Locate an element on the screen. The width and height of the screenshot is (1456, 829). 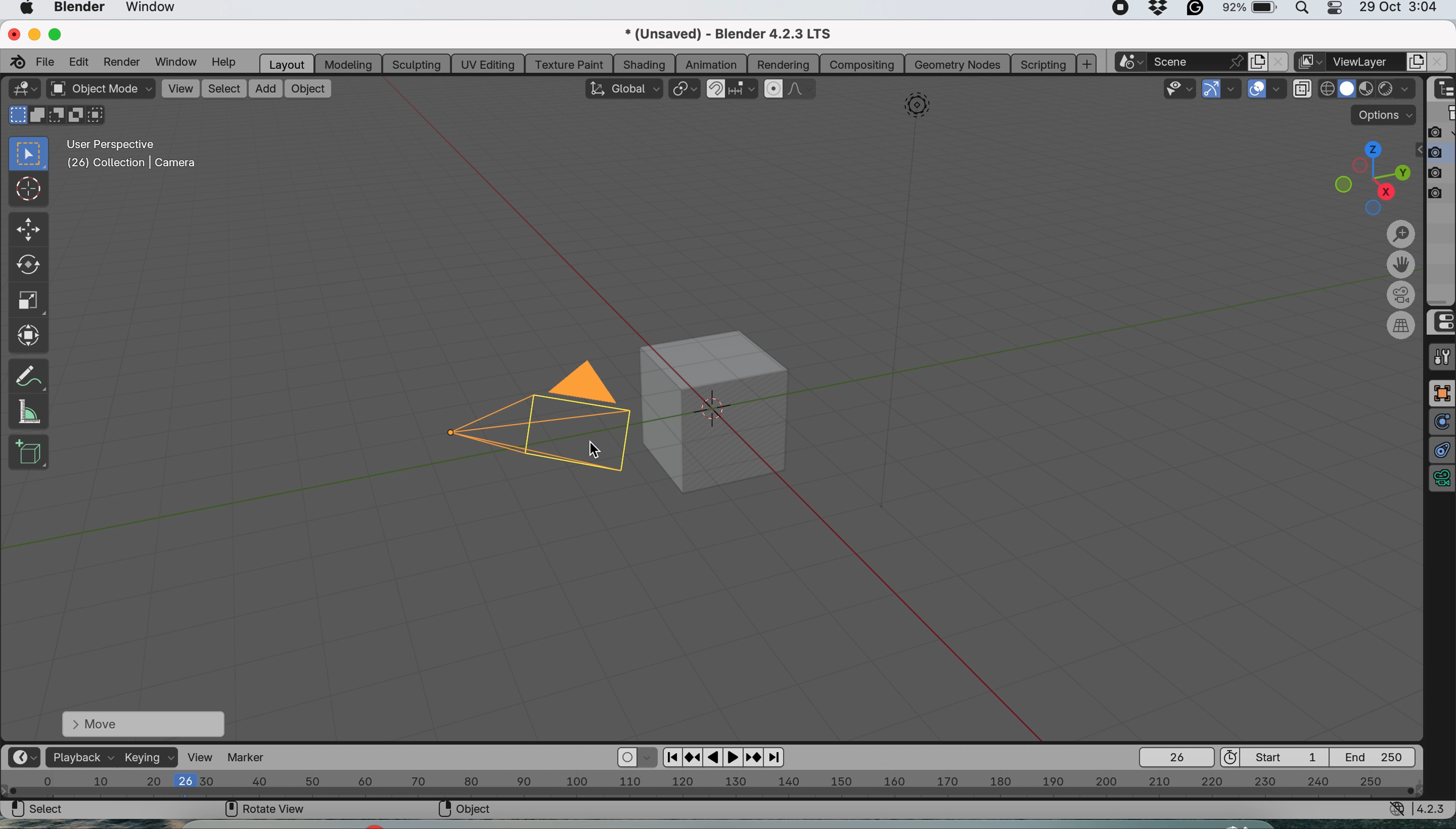
close is located at coordinates (1277, 61).